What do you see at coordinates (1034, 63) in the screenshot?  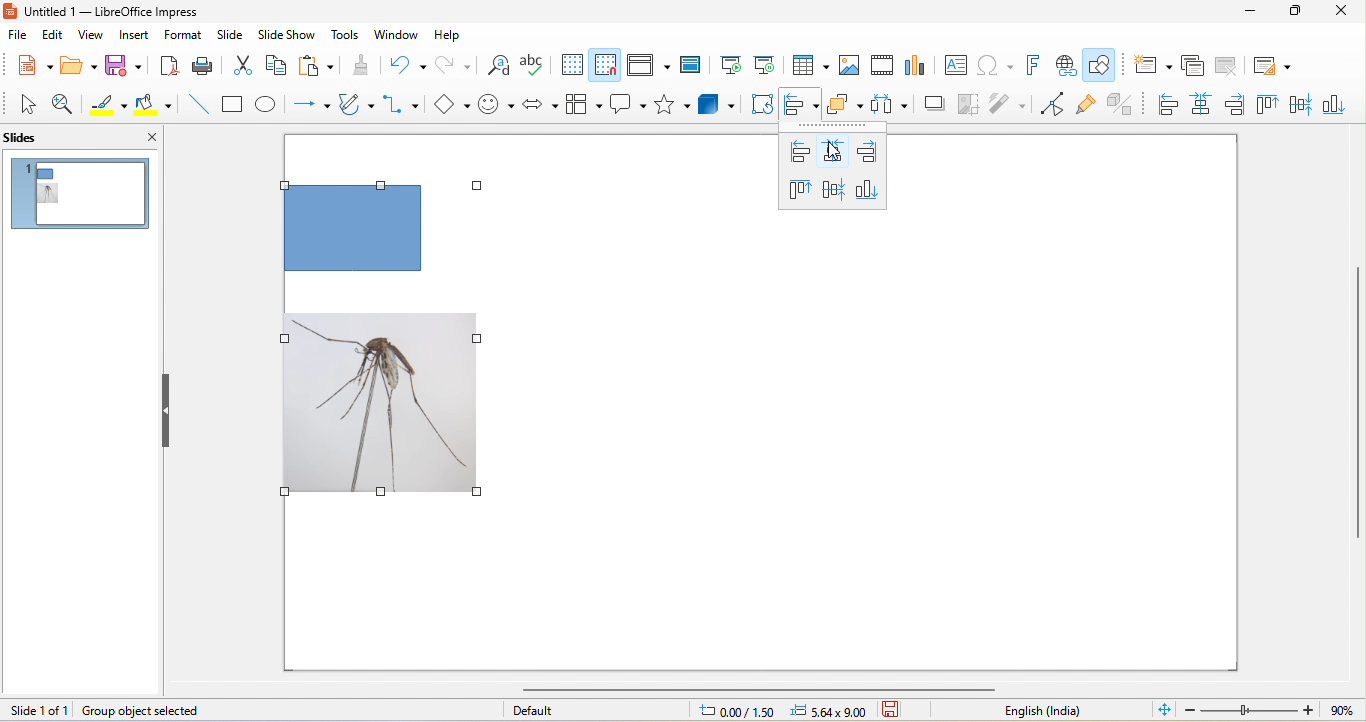 I see `fontwork text` at bounding box center [1034, 63].